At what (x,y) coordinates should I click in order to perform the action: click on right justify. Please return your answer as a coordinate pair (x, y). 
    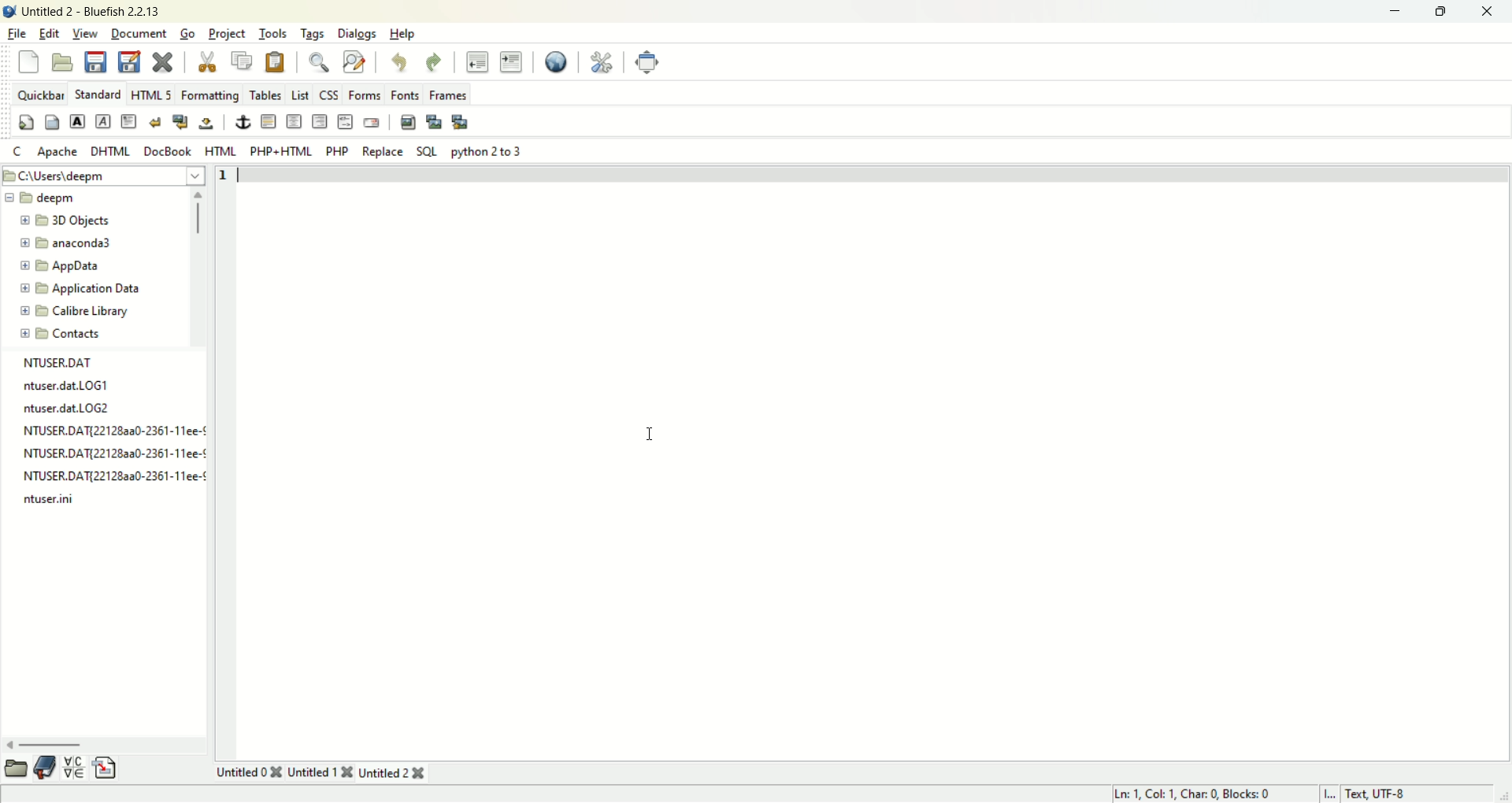
    Looking at the image, I should click on (319, 122).